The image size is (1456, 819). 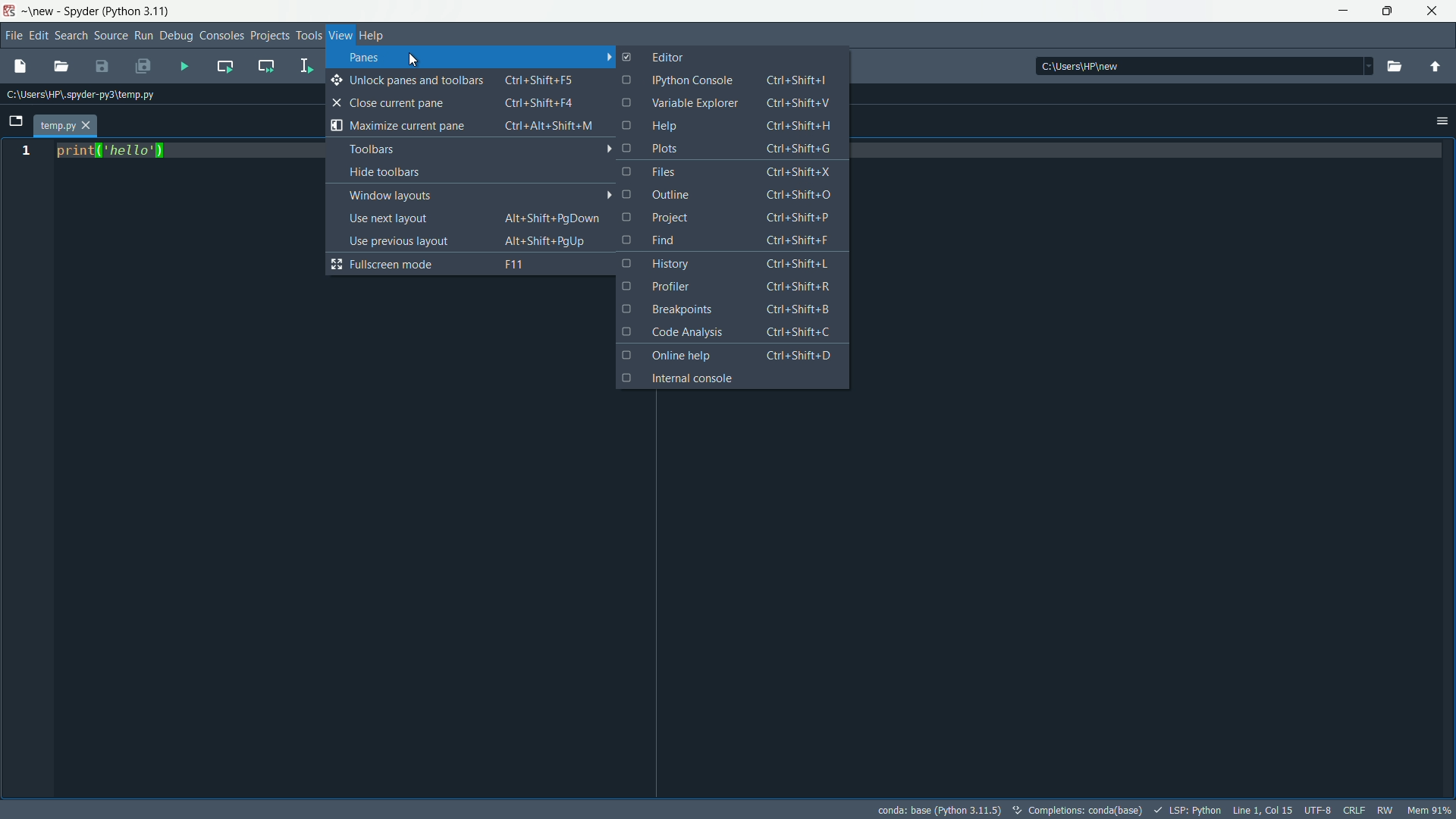 I want to click on c:\users\hp\new, so click(x=1078, y=65).